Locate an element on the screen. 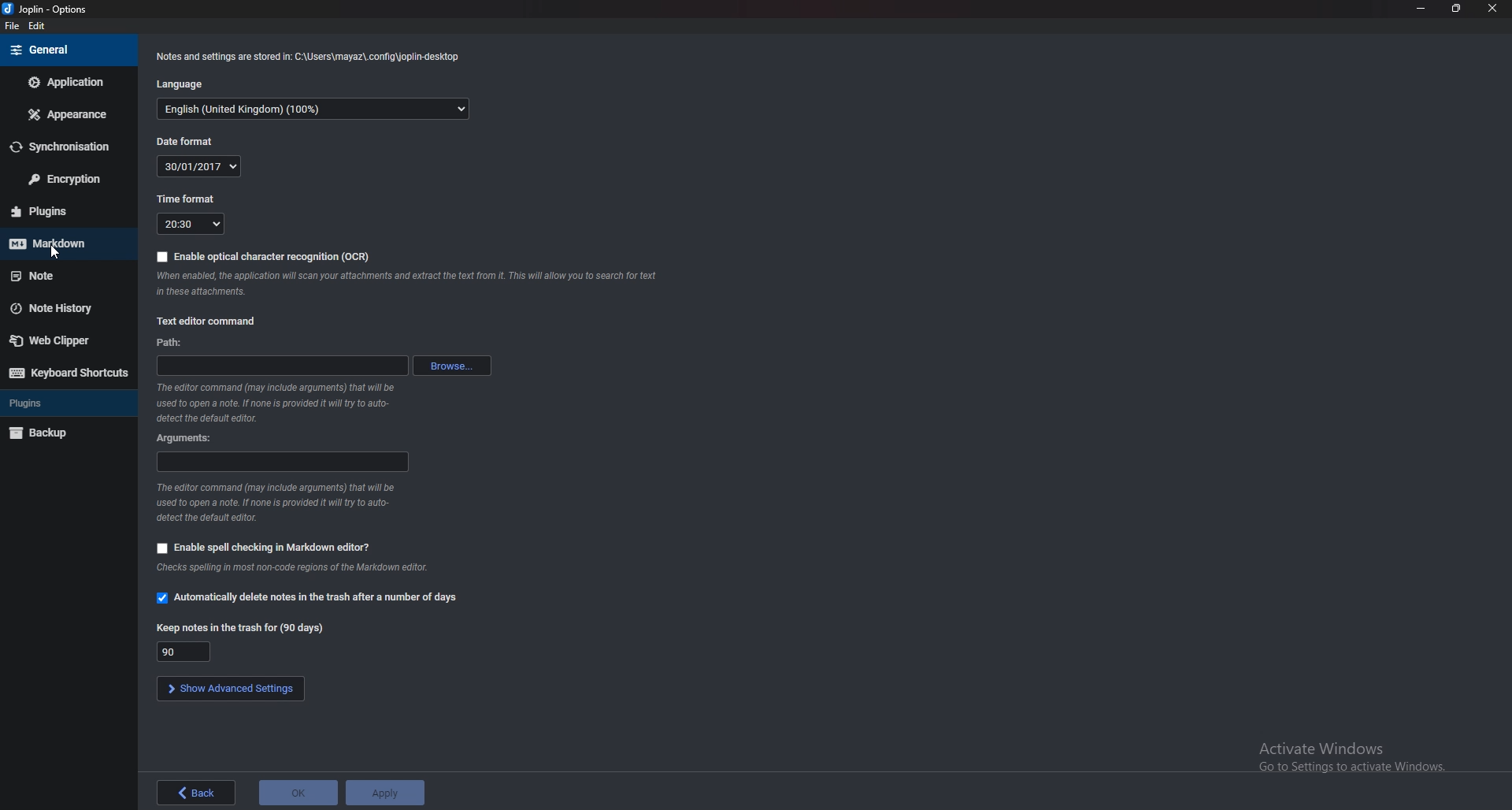  plugins is located at coordinates (65, 404).